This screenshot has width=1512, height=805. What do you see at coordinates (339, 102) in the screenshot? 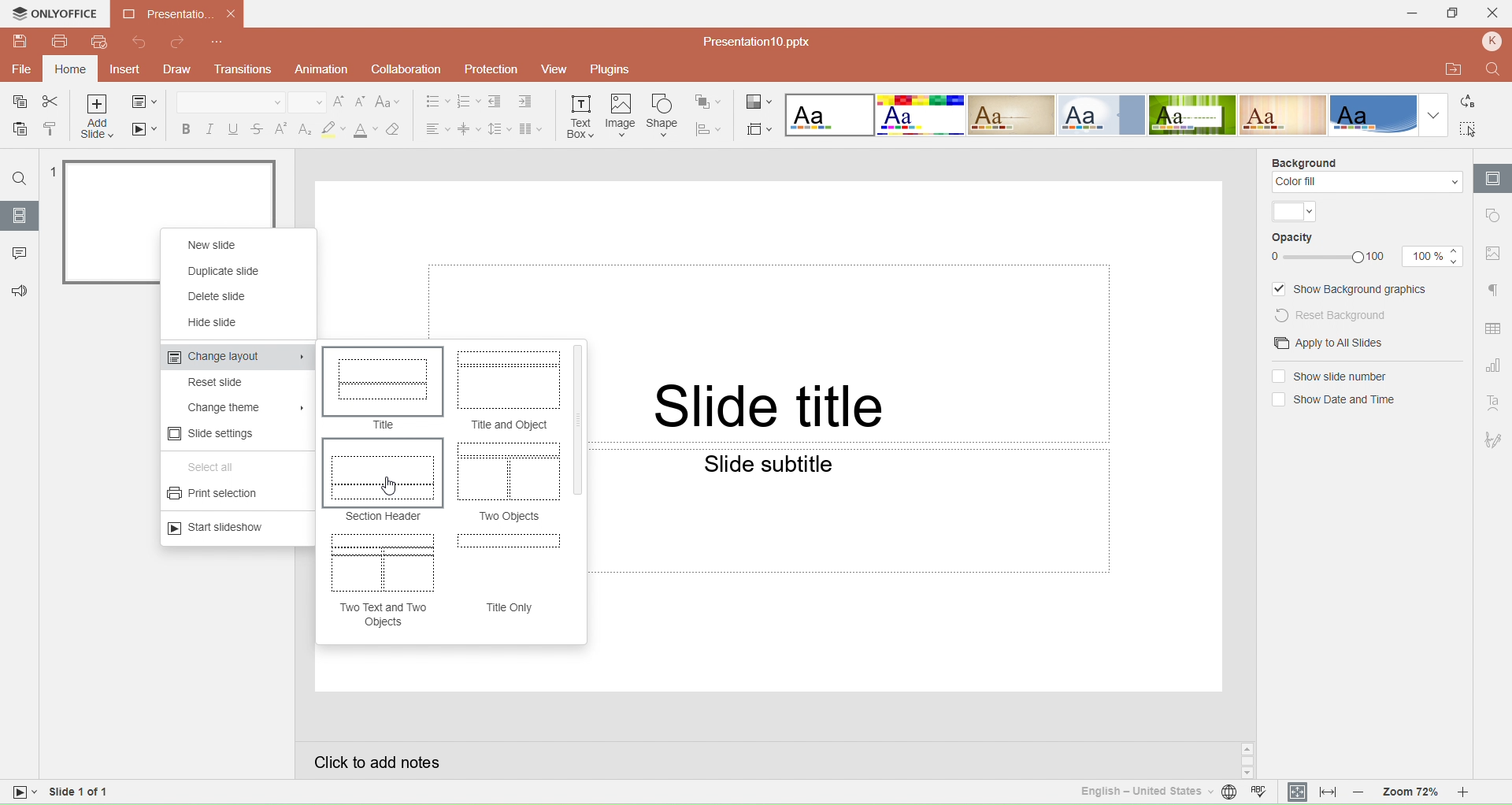
I see `Increment font size` at bounding box center [339, 102].